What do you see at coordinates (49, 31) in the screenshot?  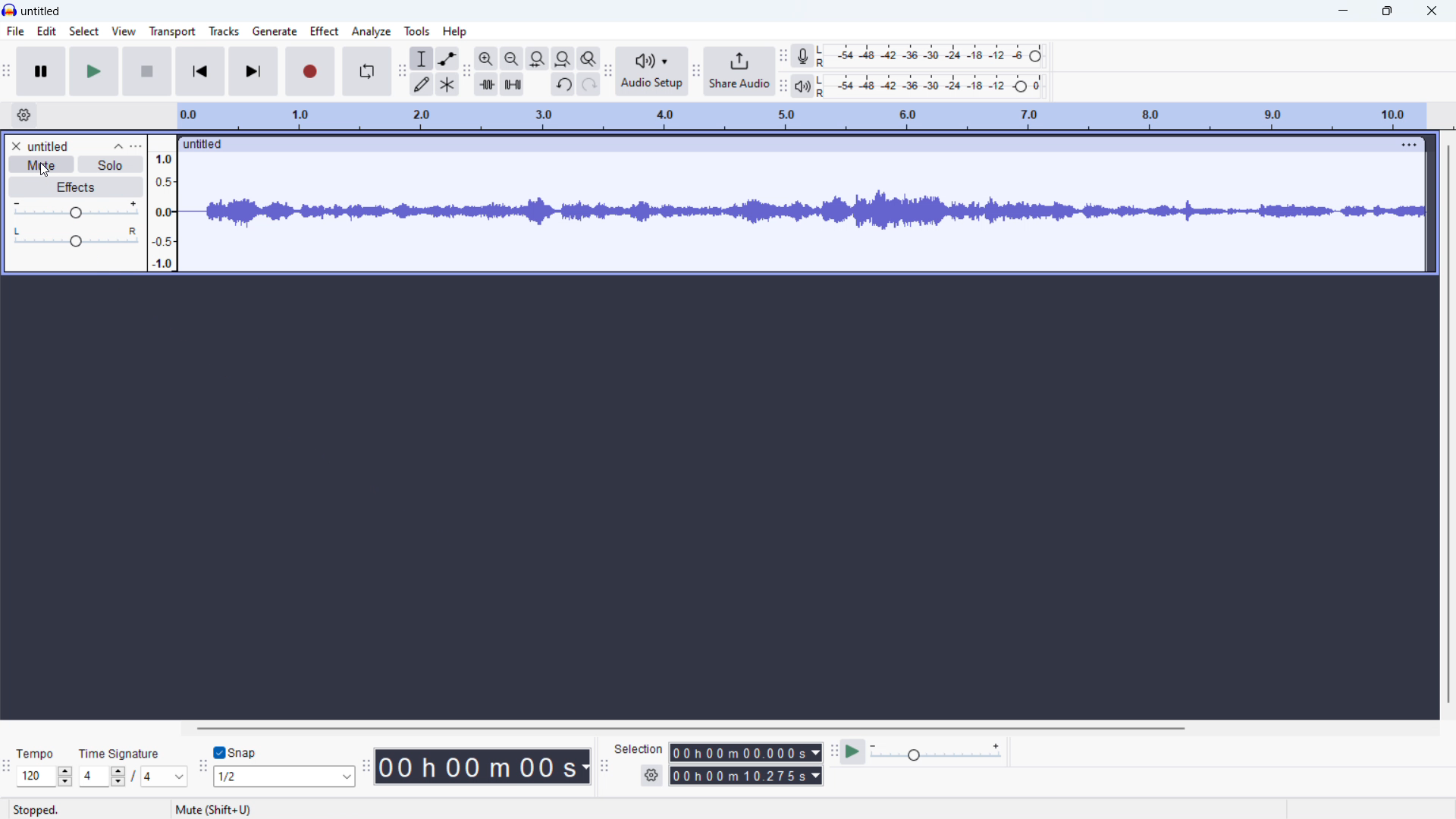 I see `edit` at bounding box center [49, 31].